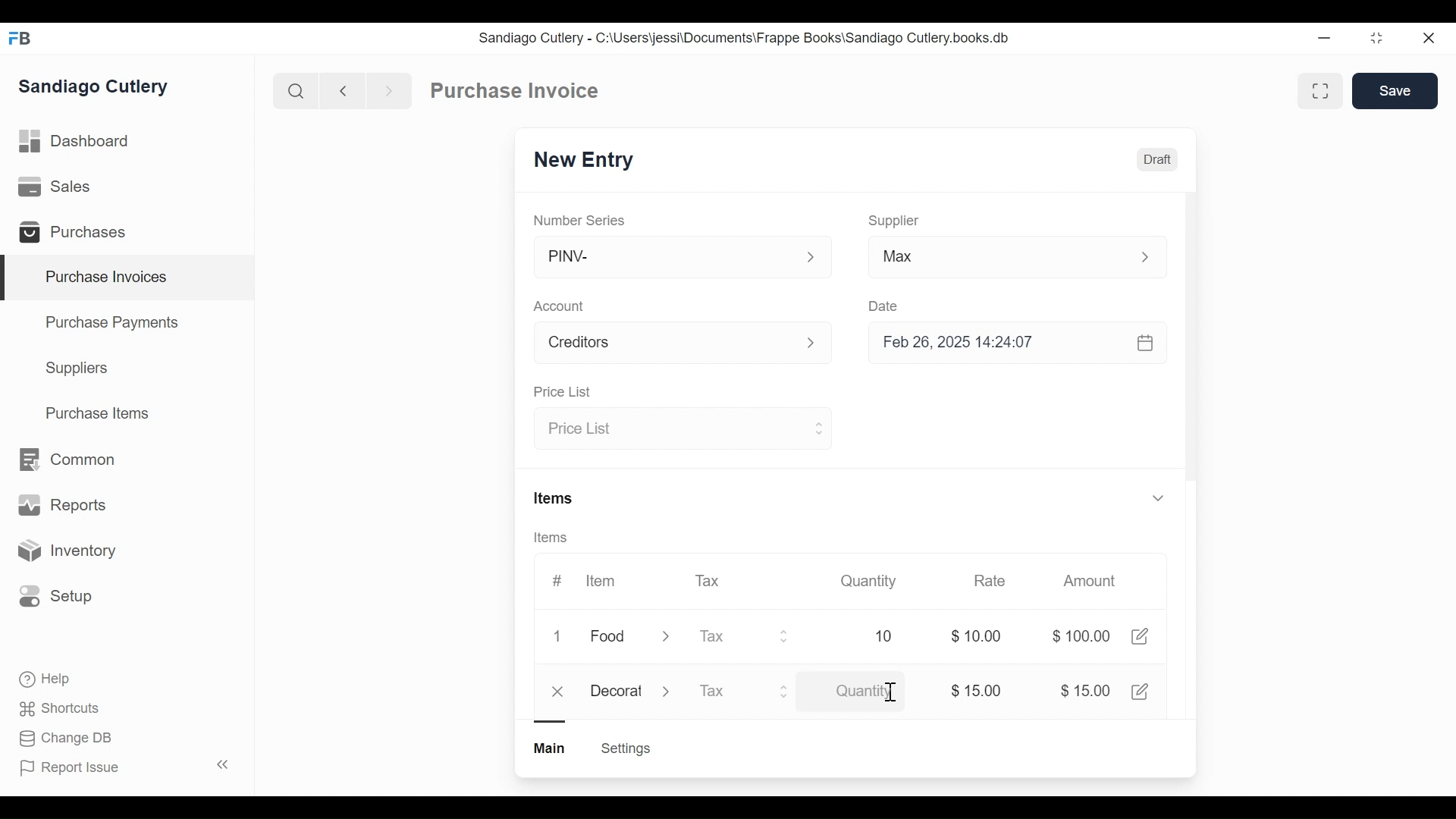 This screenshot has height=819, width=1456. What do you see at coordinates (1093, 582) in the screenshot?
I see `Amount` at bounding box center [1093, 582].